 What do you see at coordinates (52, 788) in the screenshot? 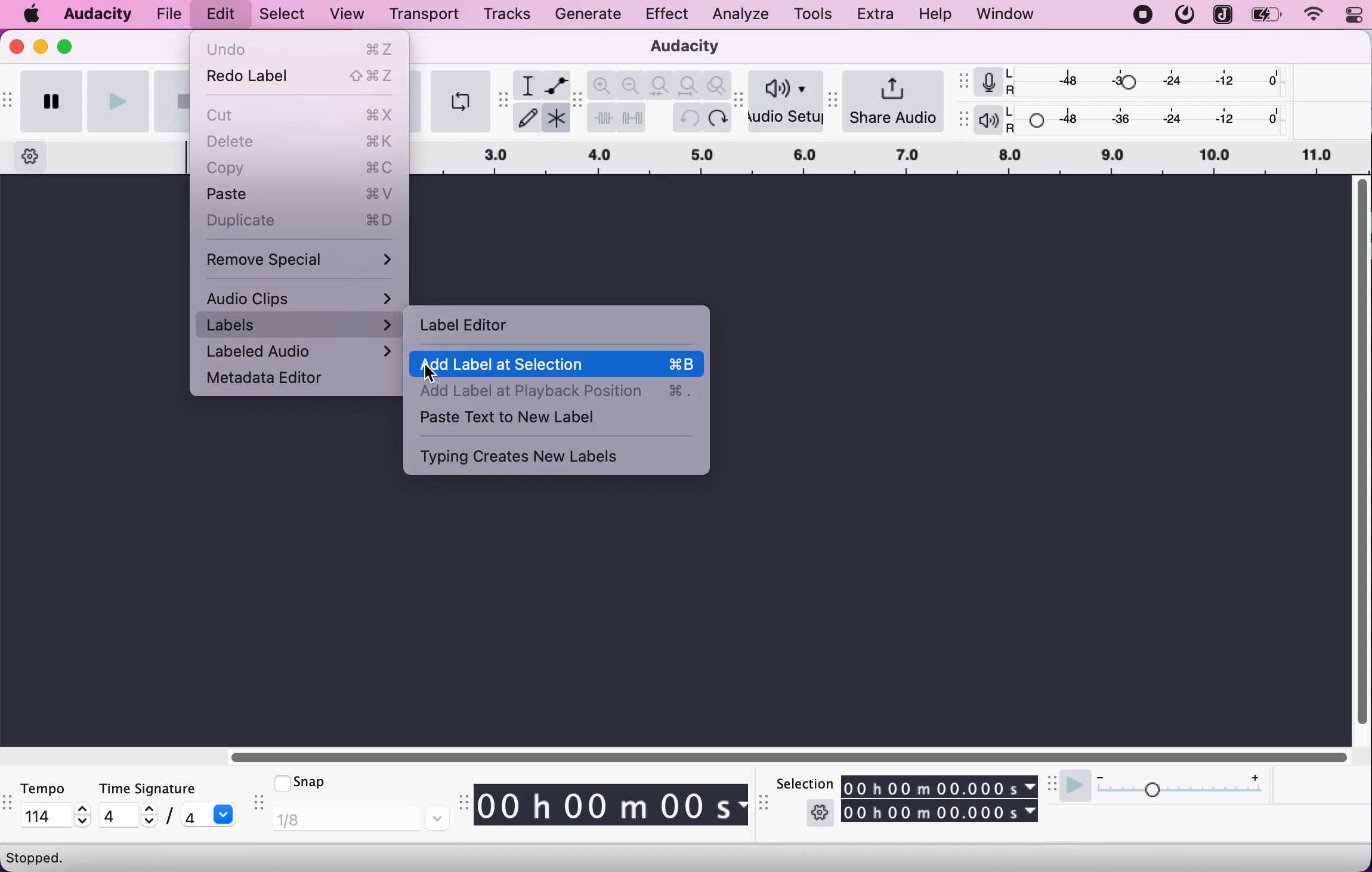
I see `tempo` at bounding box center [52, 788].